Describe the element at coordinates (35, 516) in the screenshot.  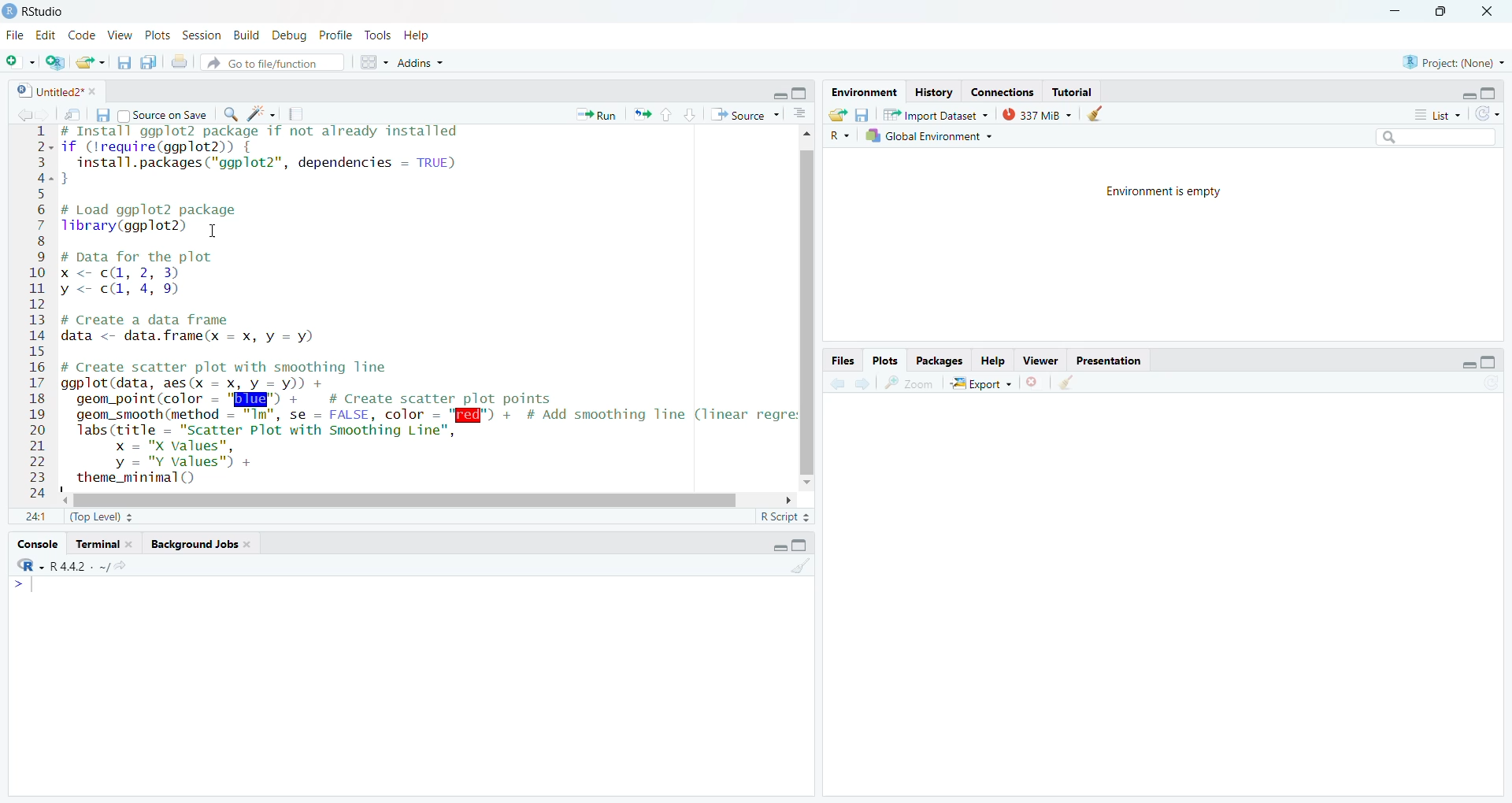
I see `1:1` at that location.